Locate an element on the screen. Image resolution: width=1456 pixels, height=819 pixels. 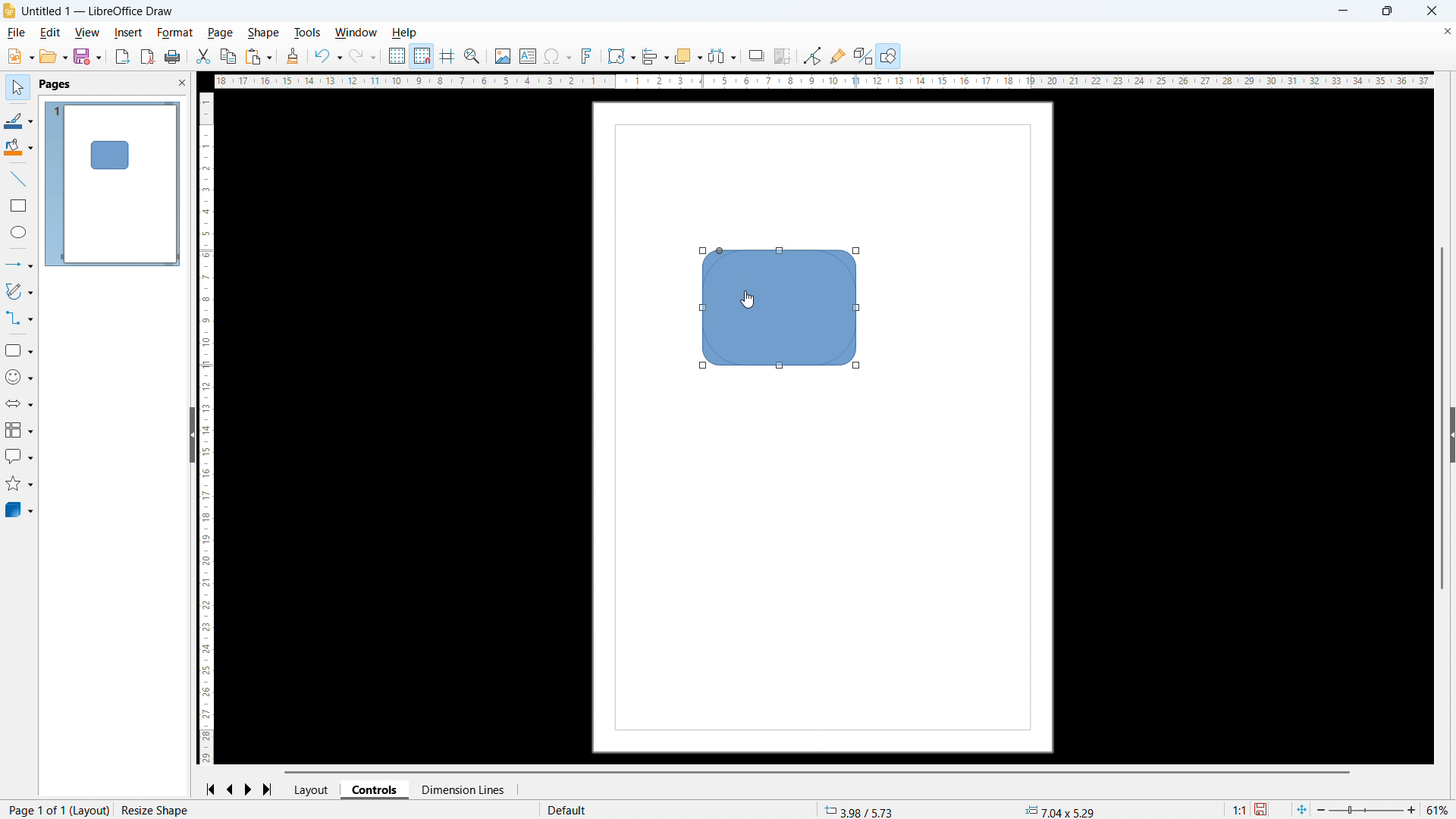
Insert  is located at coordinates (128, 33).